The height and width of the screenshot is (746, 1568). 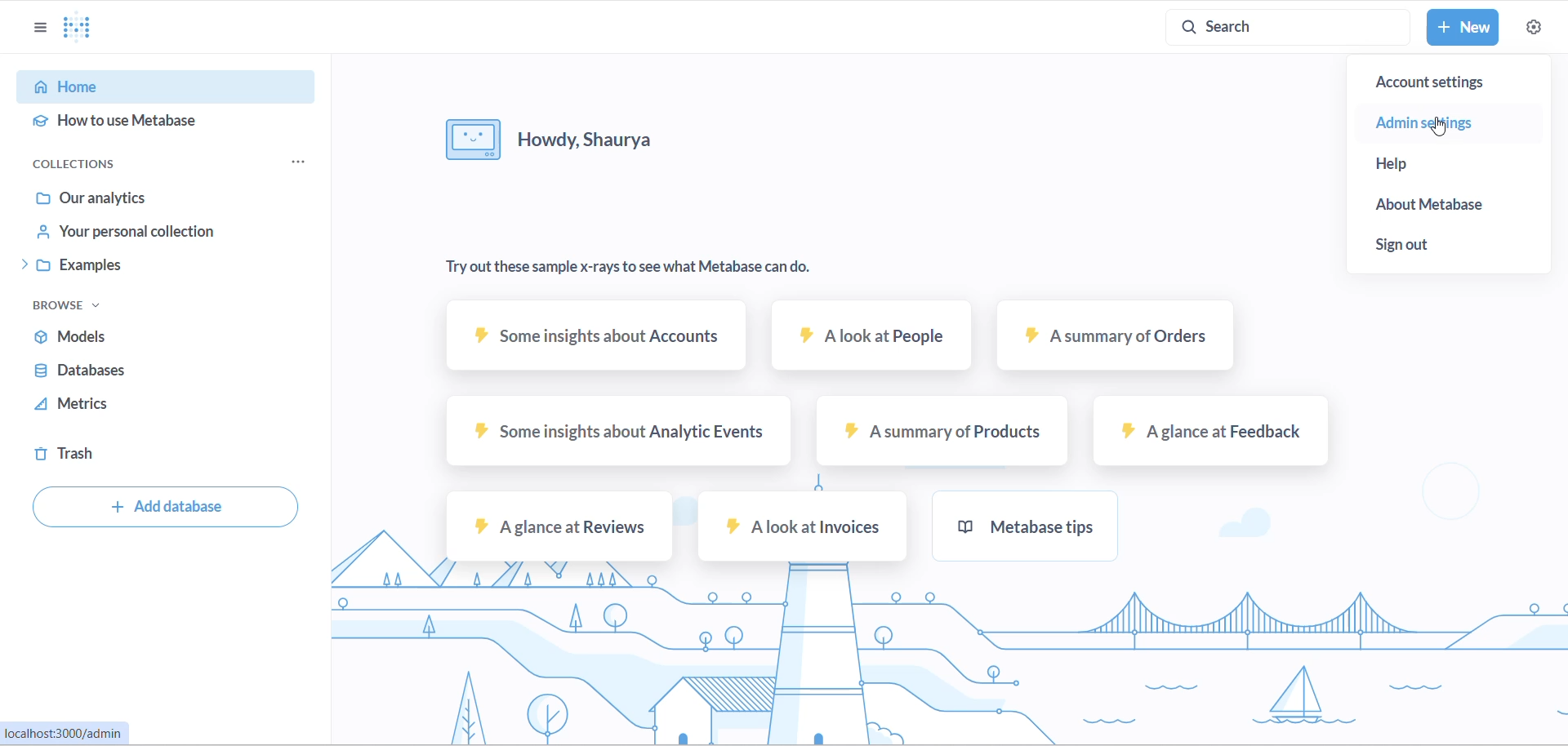 I want to click on SEARCH, so click(x=1281, y=27).